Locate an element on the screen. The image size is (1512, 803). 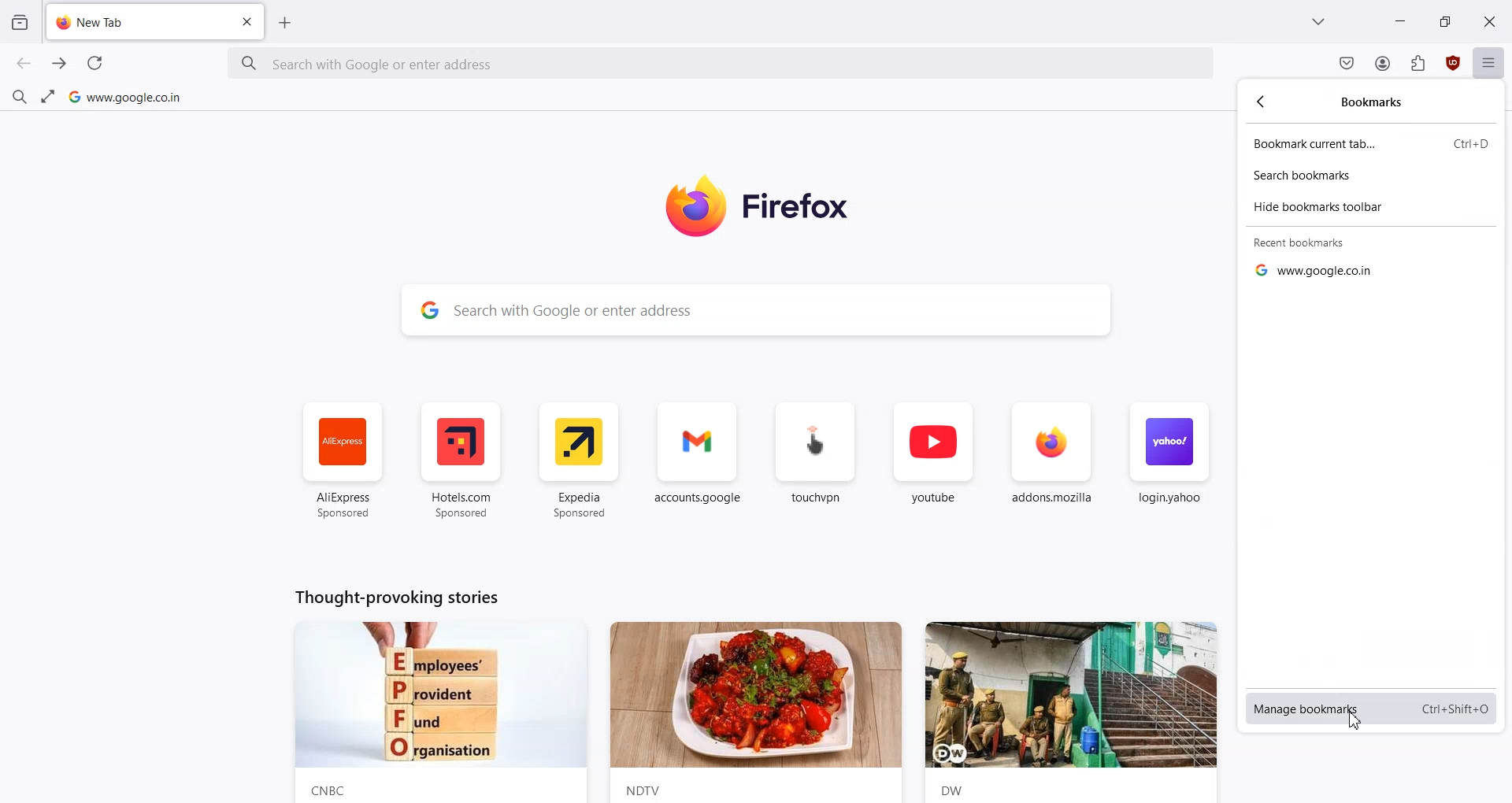
Google hyperlink is located at coordinates (1318, 271).